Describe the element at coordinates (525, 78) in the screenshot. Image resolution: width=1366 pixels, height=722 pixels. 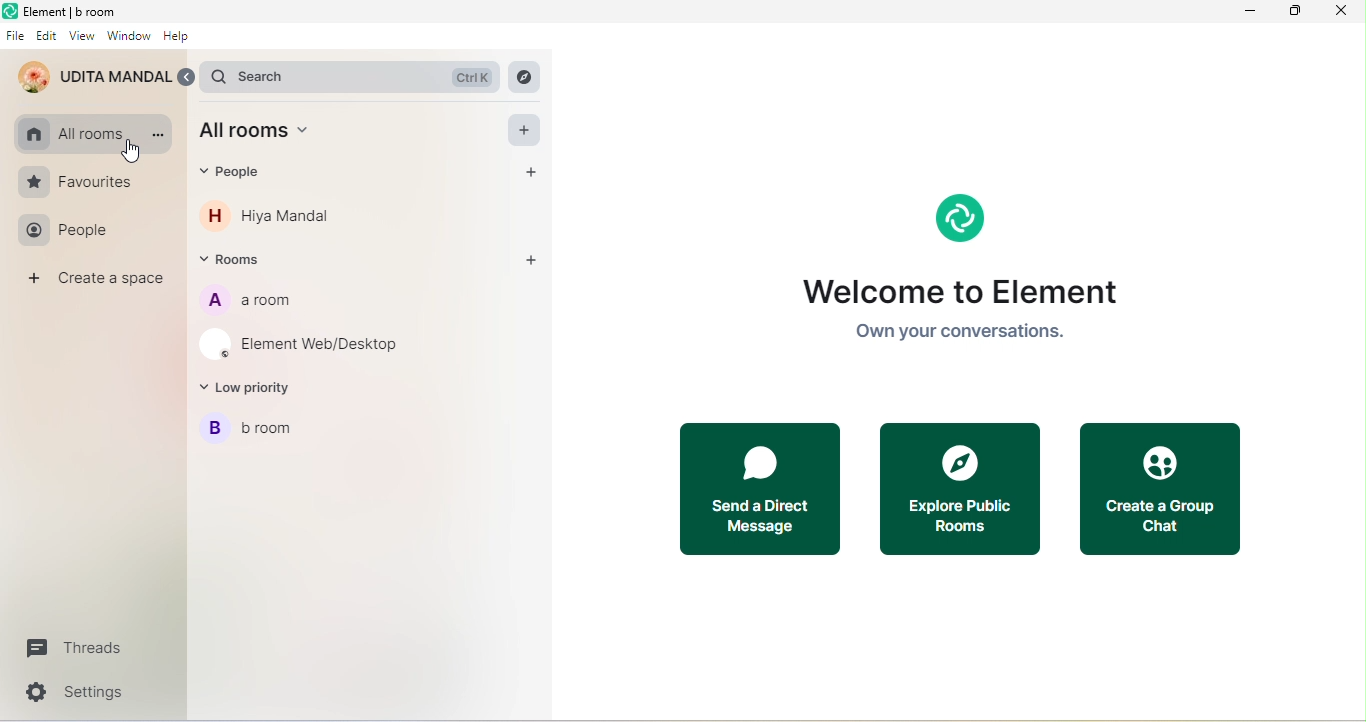
I see `explore` at that location.